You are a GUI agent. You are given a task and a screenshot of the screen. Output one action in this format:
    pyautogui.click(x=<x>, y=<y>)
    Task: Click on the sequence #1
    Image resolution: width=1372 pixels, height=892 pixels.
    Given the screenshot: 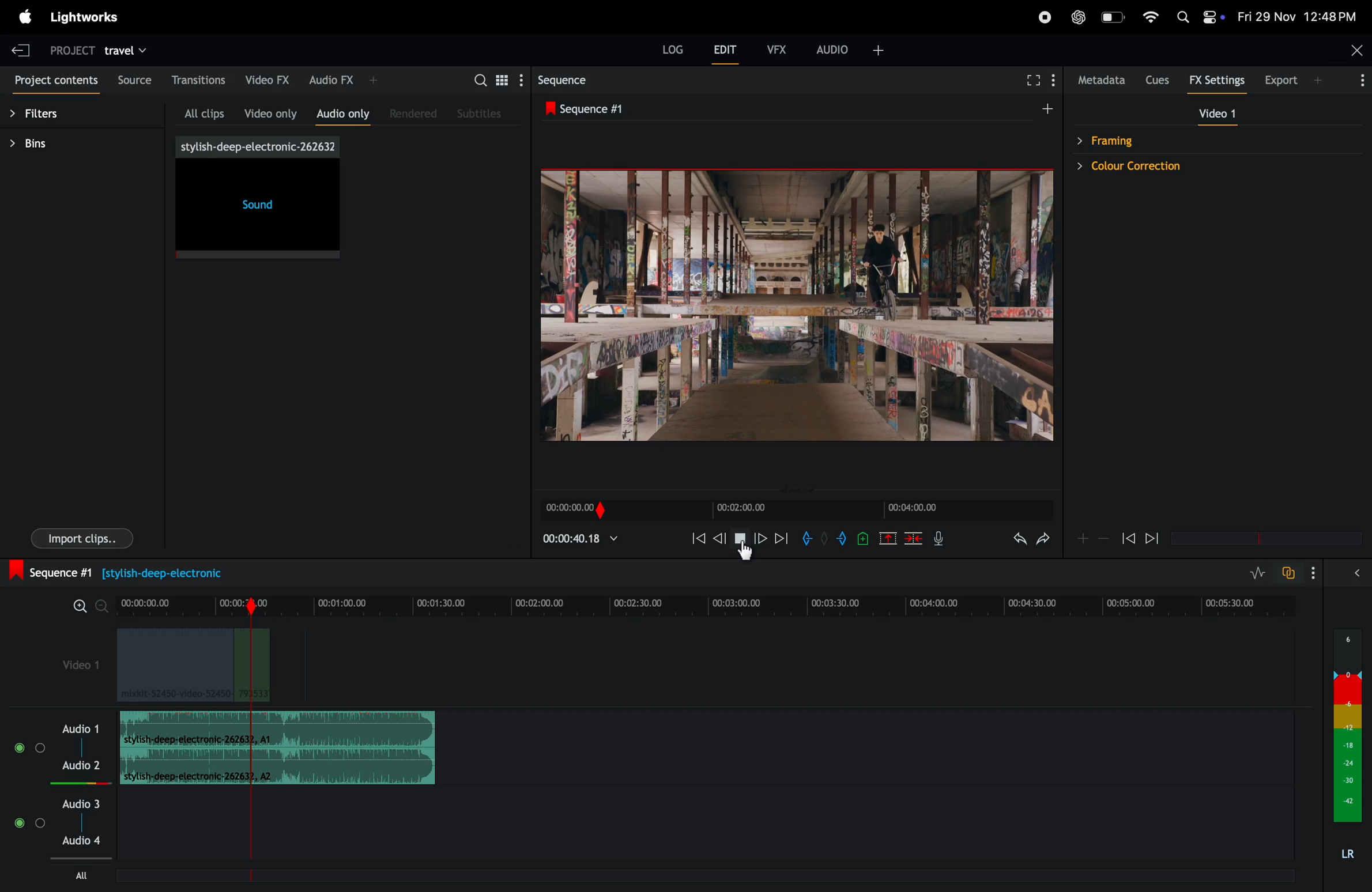 What is the action you would take?
    pyautogui.click(x=593, y=109)
    